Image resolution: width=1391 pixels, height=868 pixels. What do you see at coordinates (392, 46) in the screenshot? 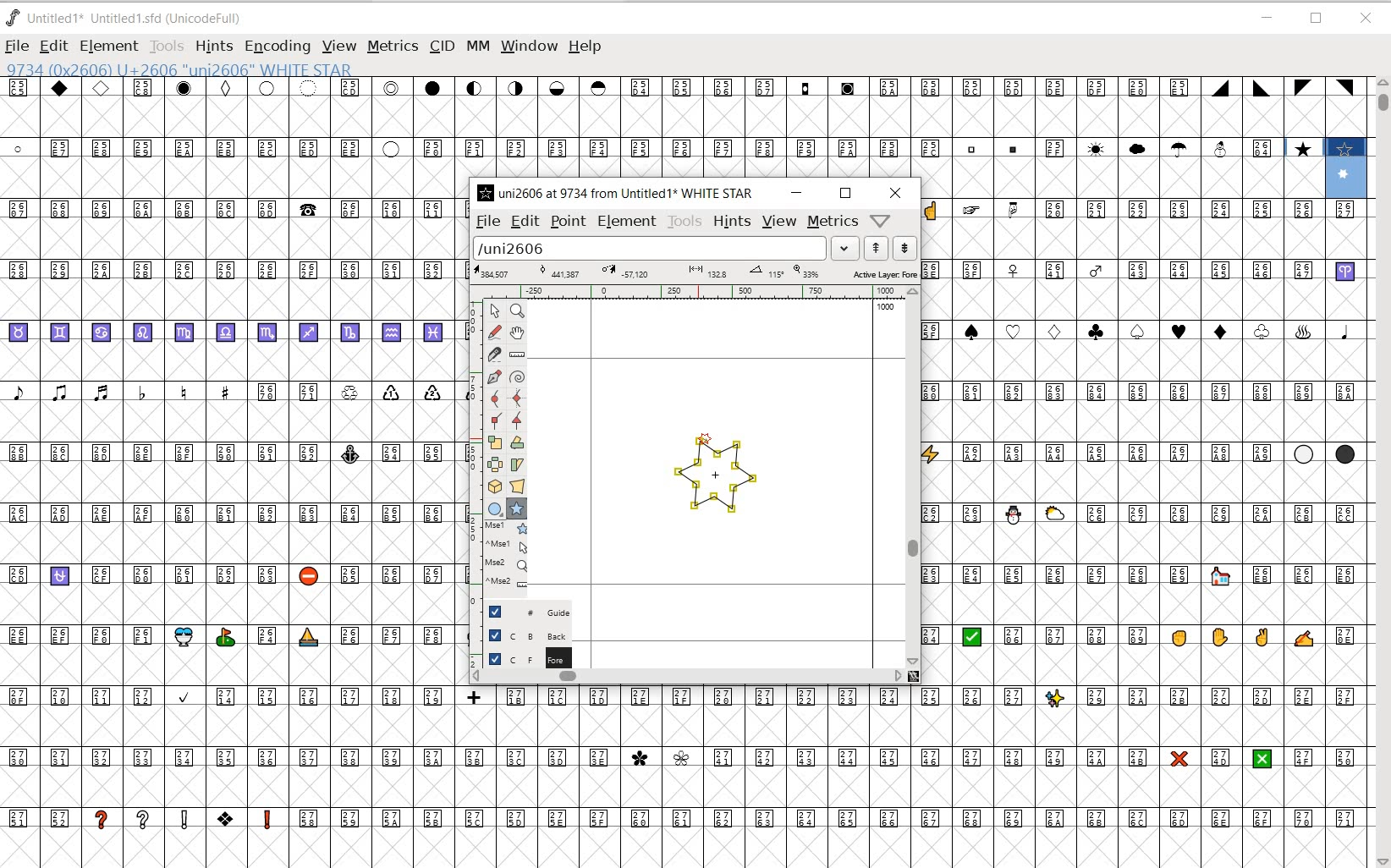
I see `METRICS` at bounding box center [392, 46].